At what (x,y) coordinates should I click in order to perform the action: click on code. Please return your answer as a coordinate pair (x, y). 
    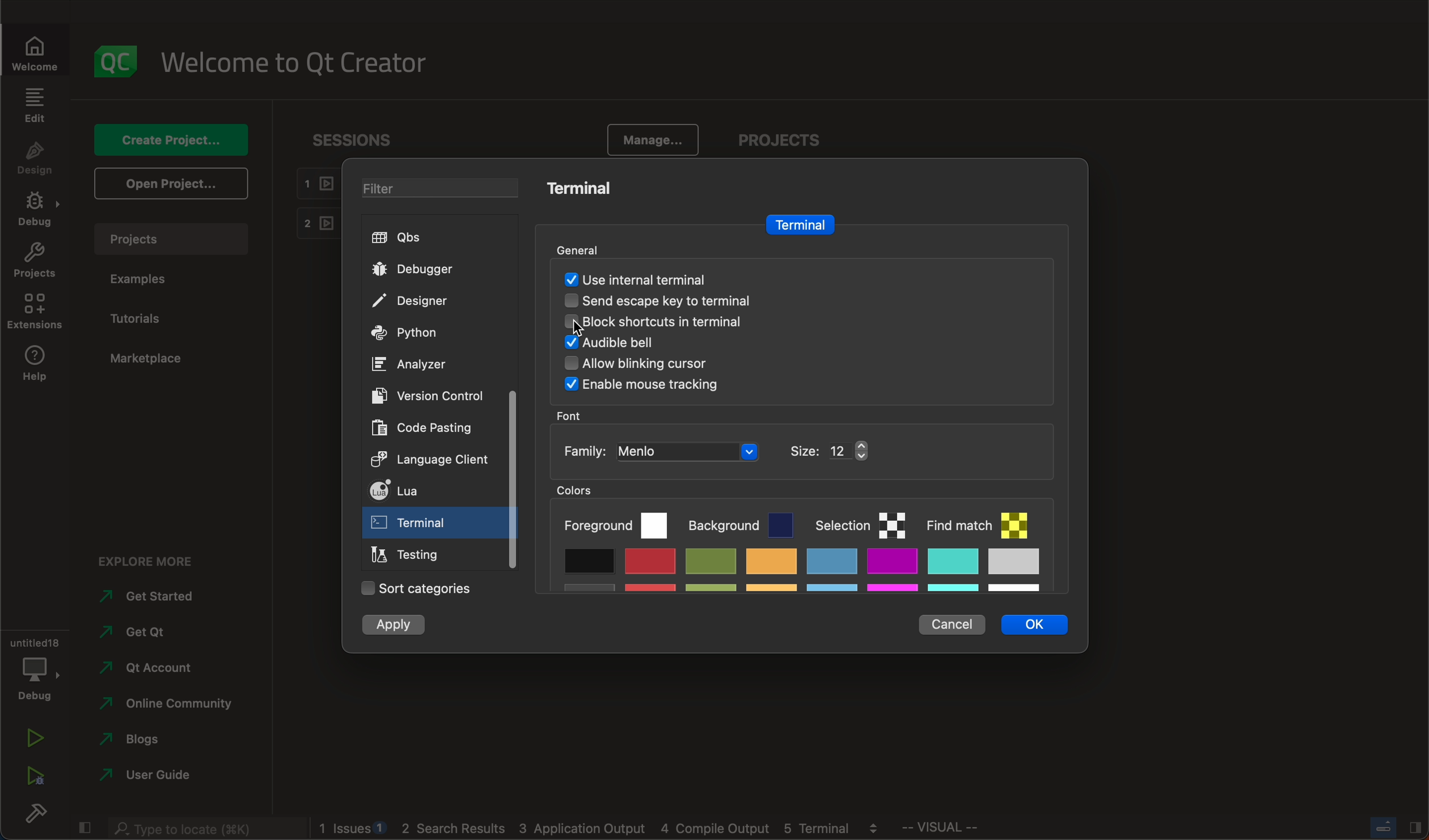
    Looking at the image, I should click on (424, 429).